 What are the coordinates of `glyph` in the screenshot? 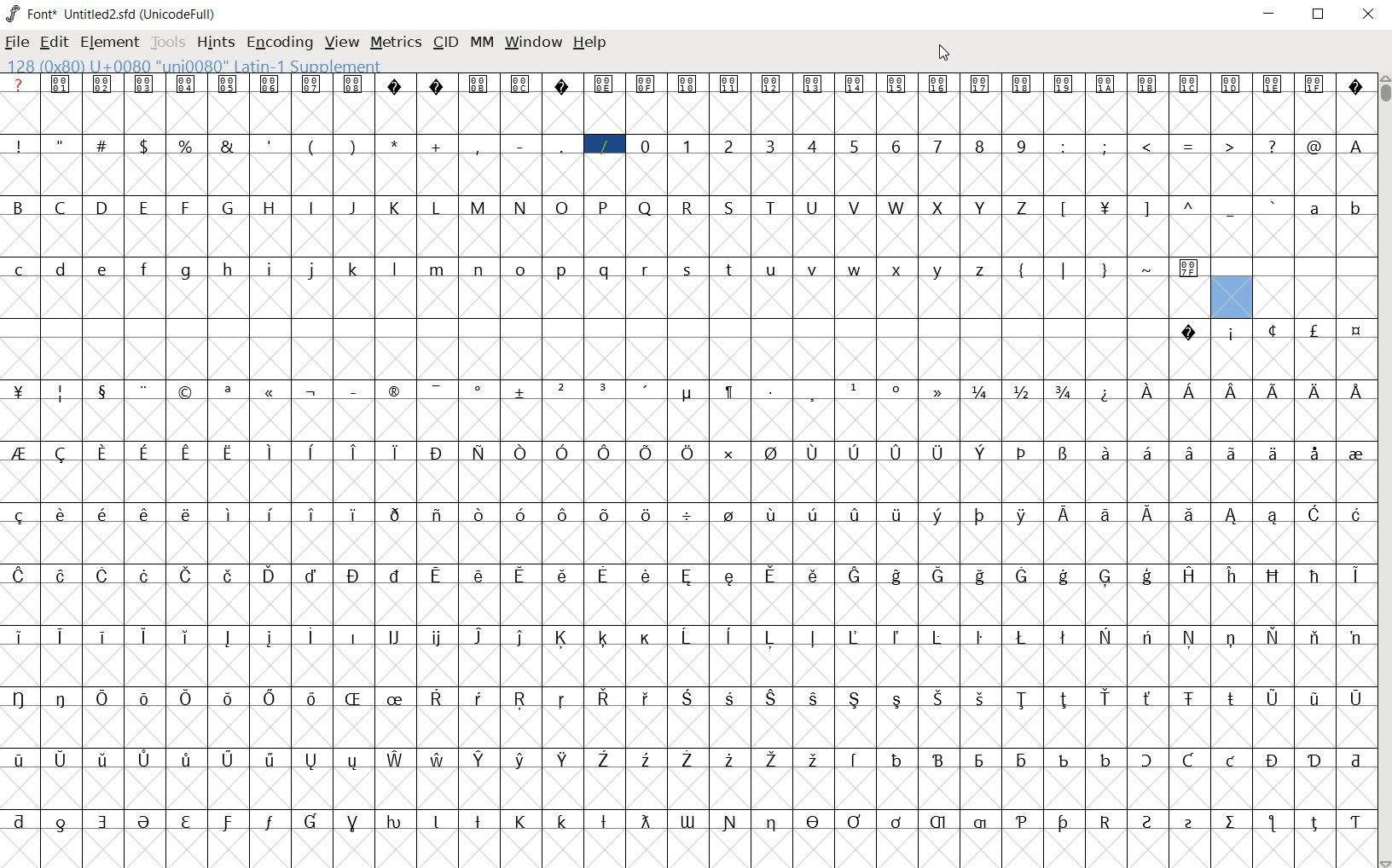 It's located at (855, 576).